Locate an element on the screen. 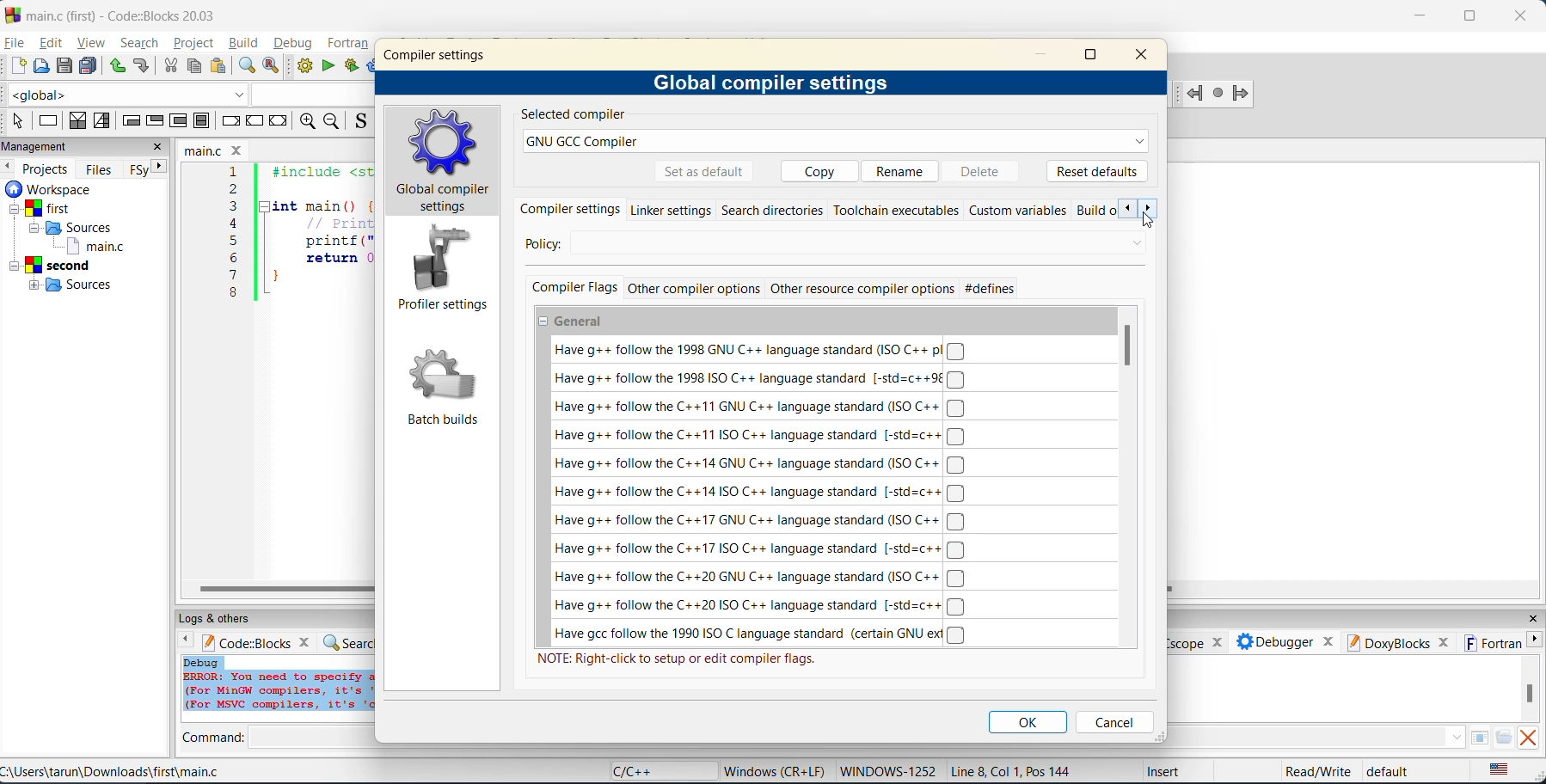 The width and height of the screenshot is (1546, 784). Have g++ follow the C++11 GNU C++ language standard (ISO C++ is located at coordinates (762, 407).